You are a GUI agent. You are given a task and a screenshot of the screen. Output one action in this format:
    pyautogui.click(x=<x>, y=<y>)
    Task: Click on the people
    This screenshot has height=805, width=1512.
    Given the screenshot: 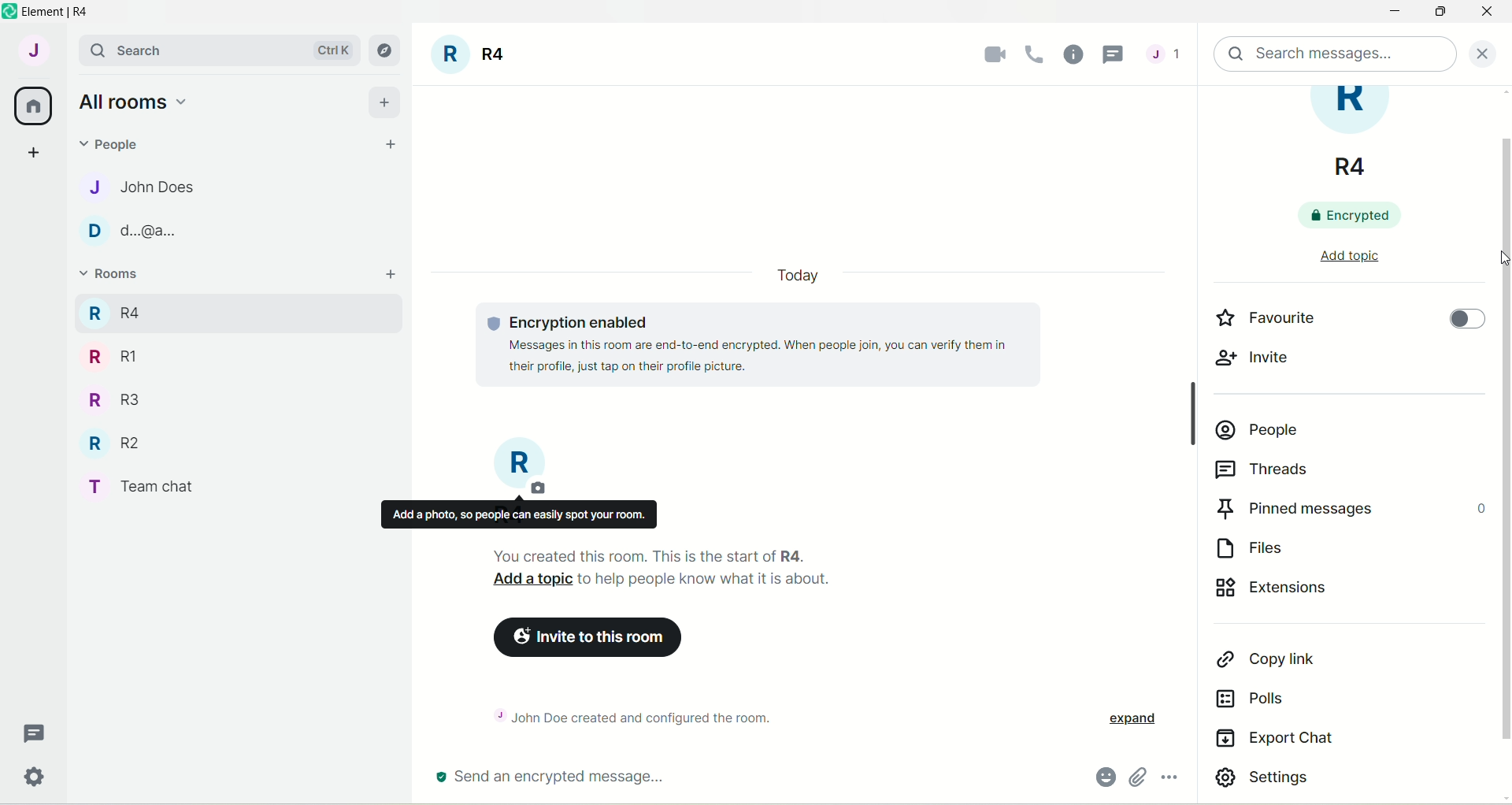 What is the action you would take?
    pyautogui.click(x=115, y=143)
    